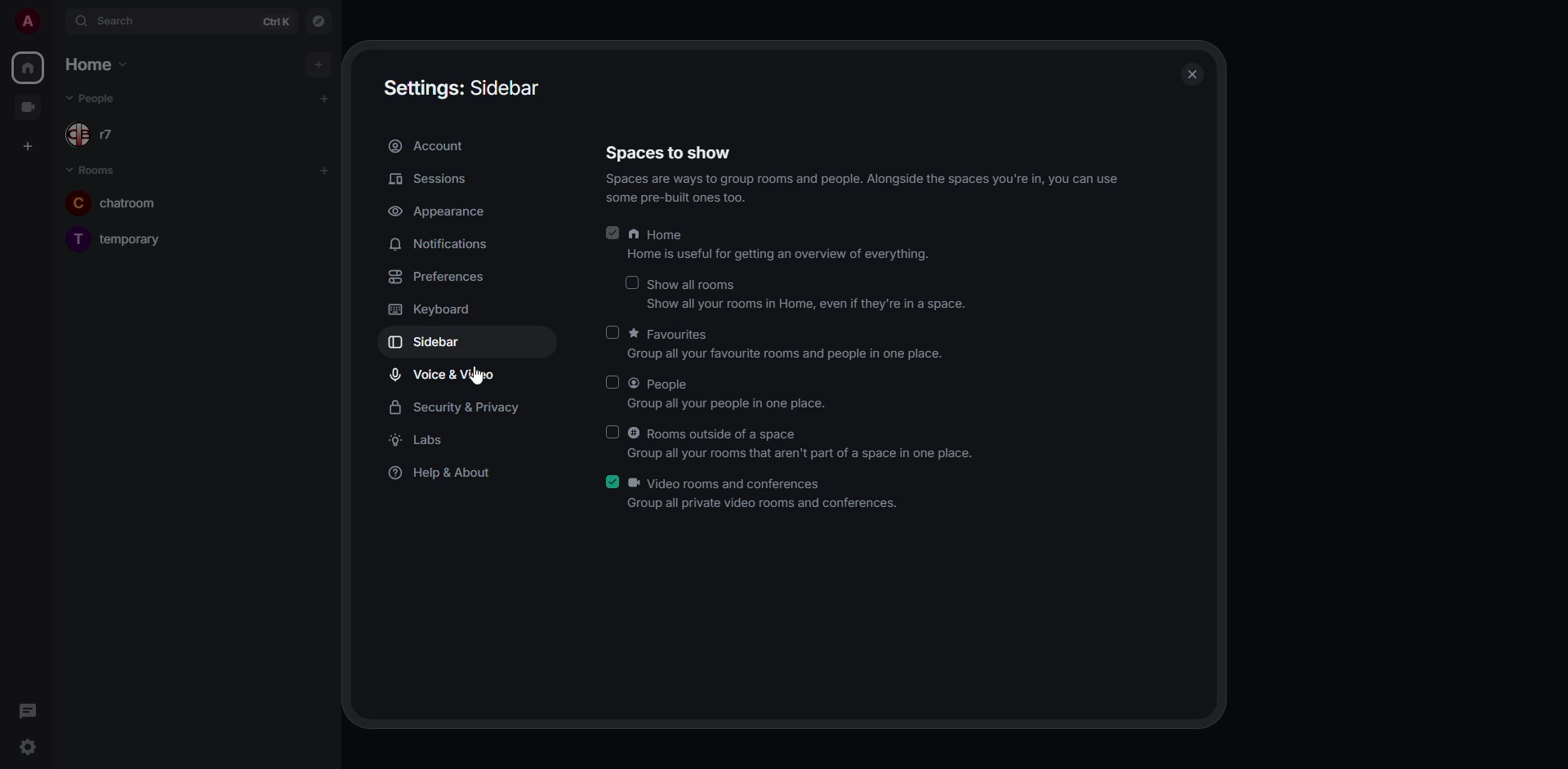 This screenshot has height=769, width=1568. I want to click on home, so click(787, 247).